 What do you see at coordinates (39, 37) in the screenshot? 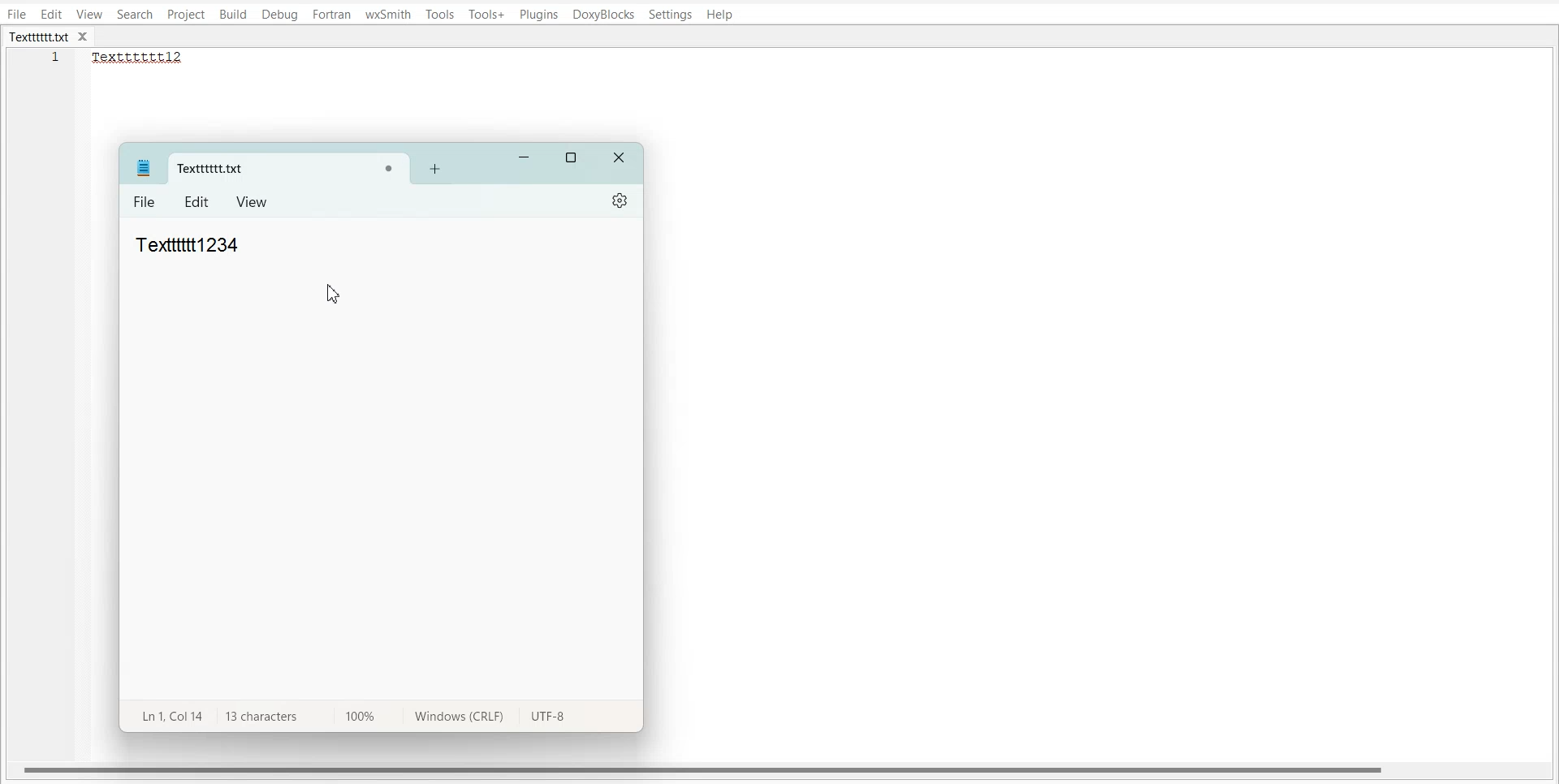
I see `Textttttt.txt` at bounding box center [39, 37].